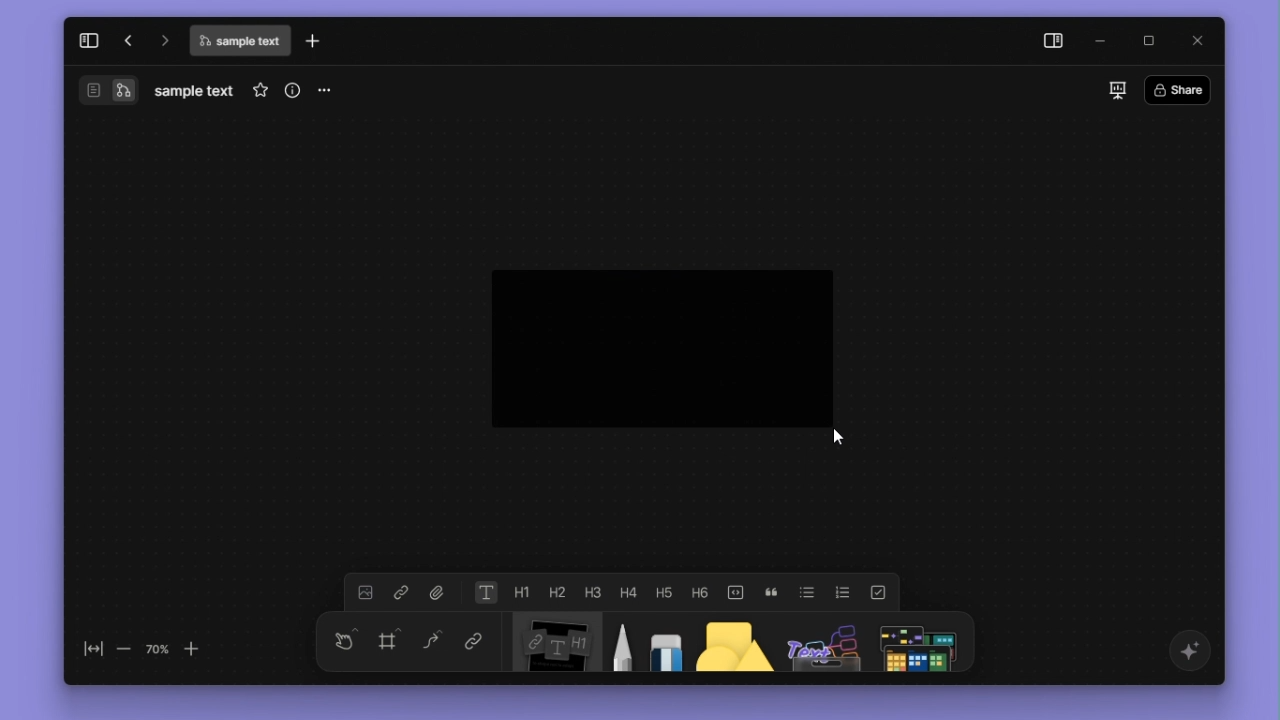 Image resolution: width=1280 pixels, height=720 pixels. What do you see at coordinates (808, 591) in the screenshot?
I see `bulleted list` at bounding box center [808, 591].